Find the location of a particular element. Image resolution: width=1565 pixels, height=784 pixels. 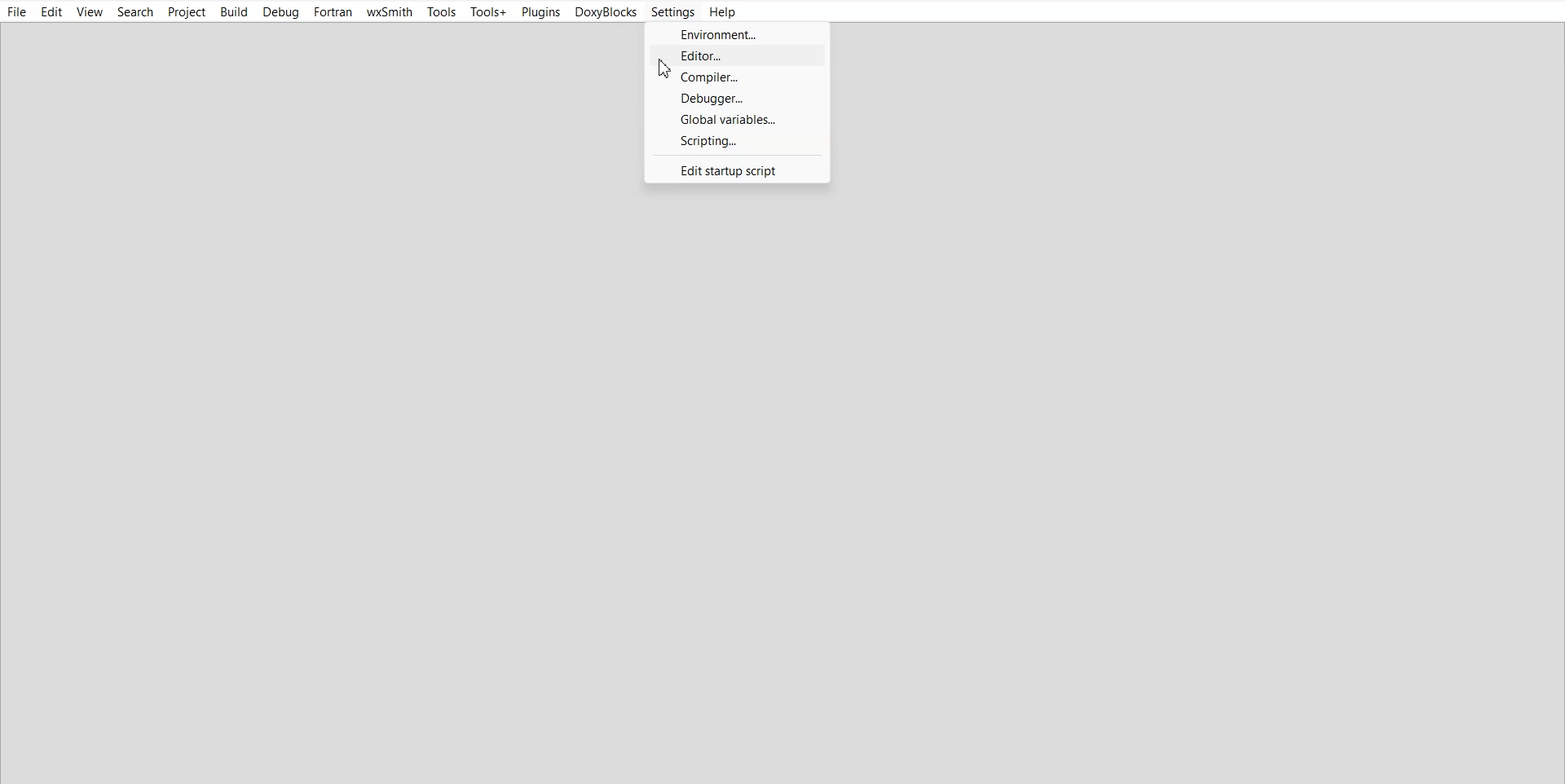

Plugins is located at coordinates (541, 12).